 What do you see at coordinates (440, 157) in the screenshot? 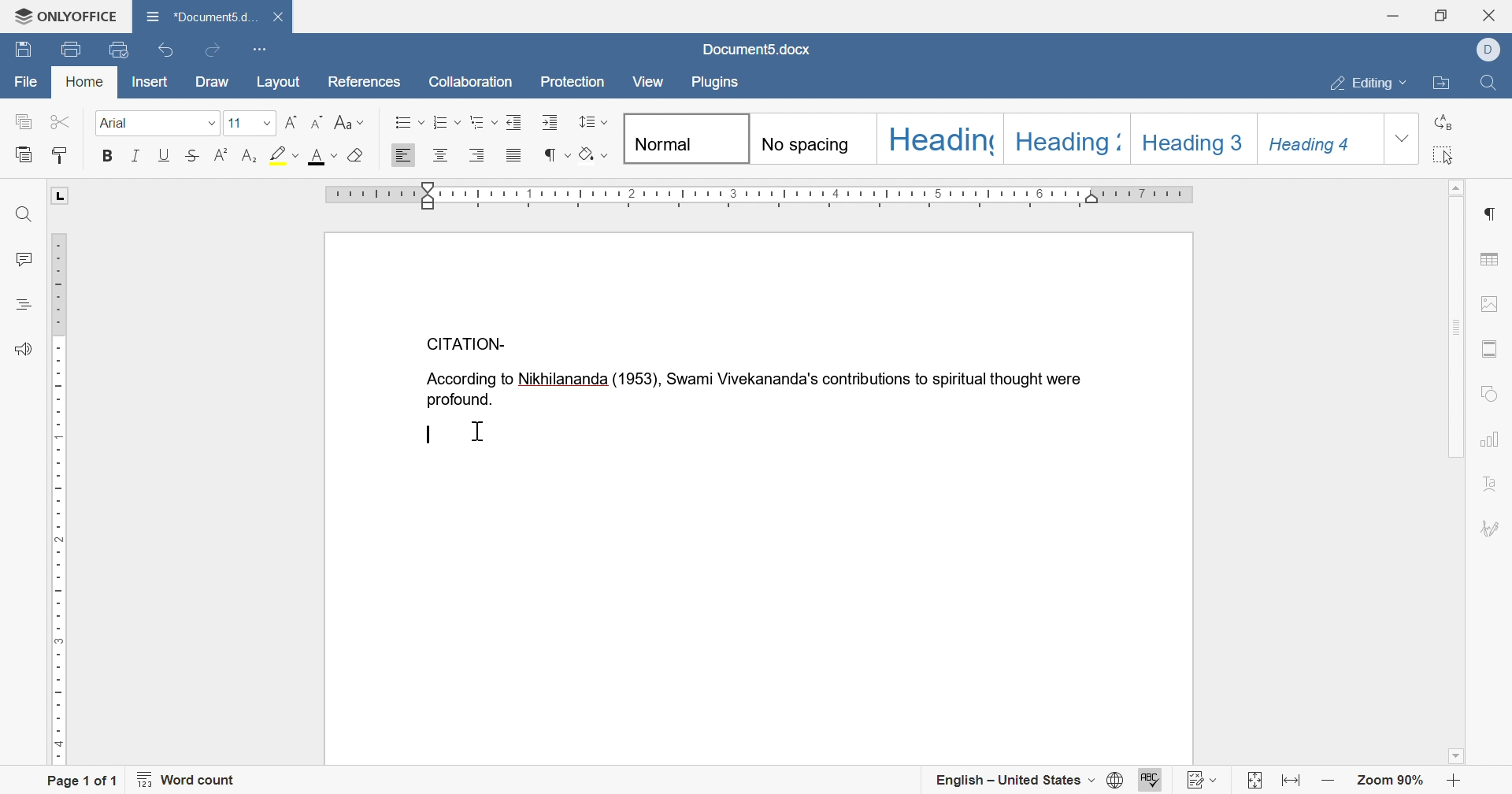
I see `align center` at bounding box center [440, 157].